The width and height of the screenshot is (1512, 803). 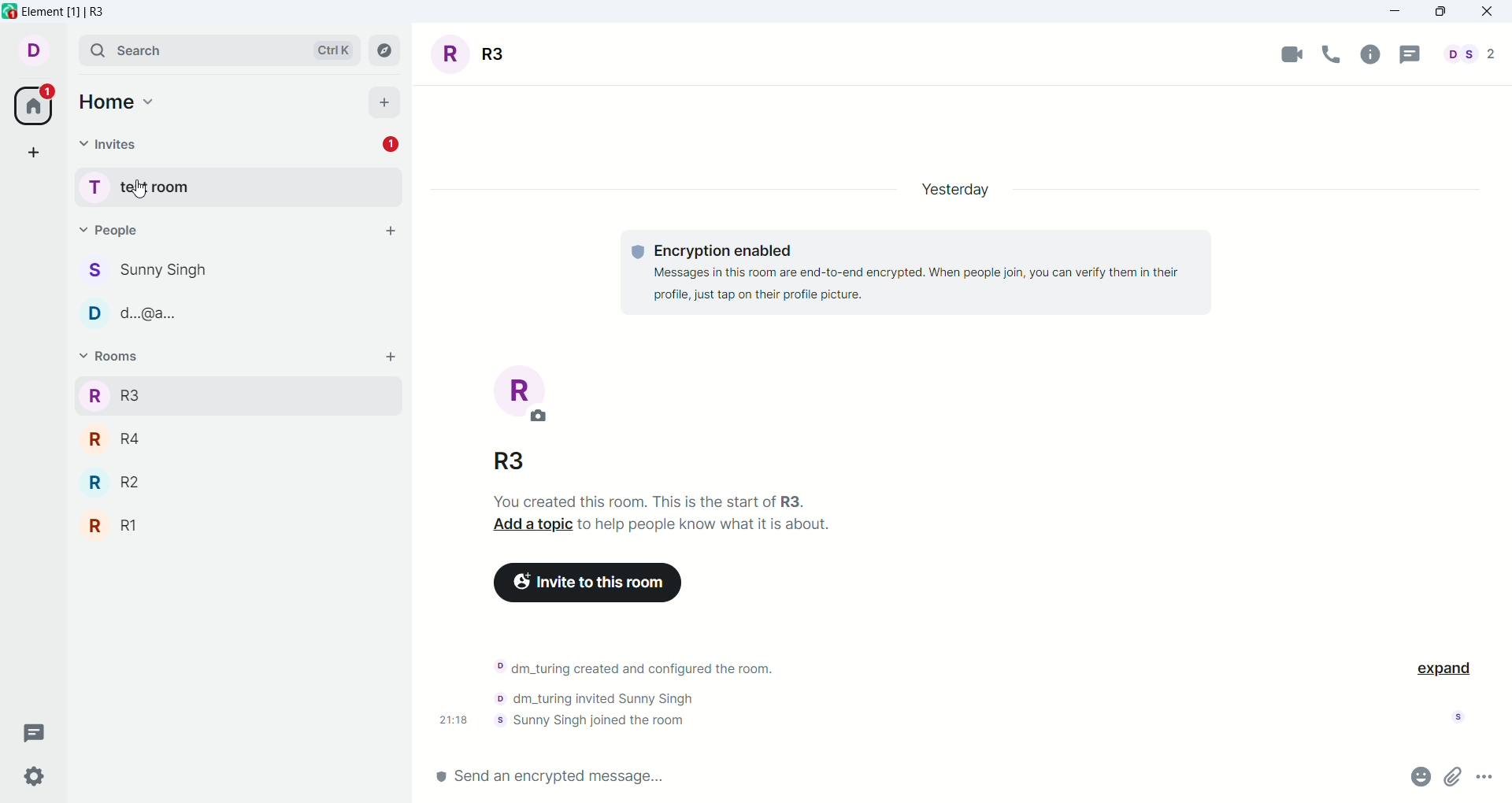 What do you see at coordinates (34, 50) in the screenshot?
I see `account` at bounding box center [34, 50].